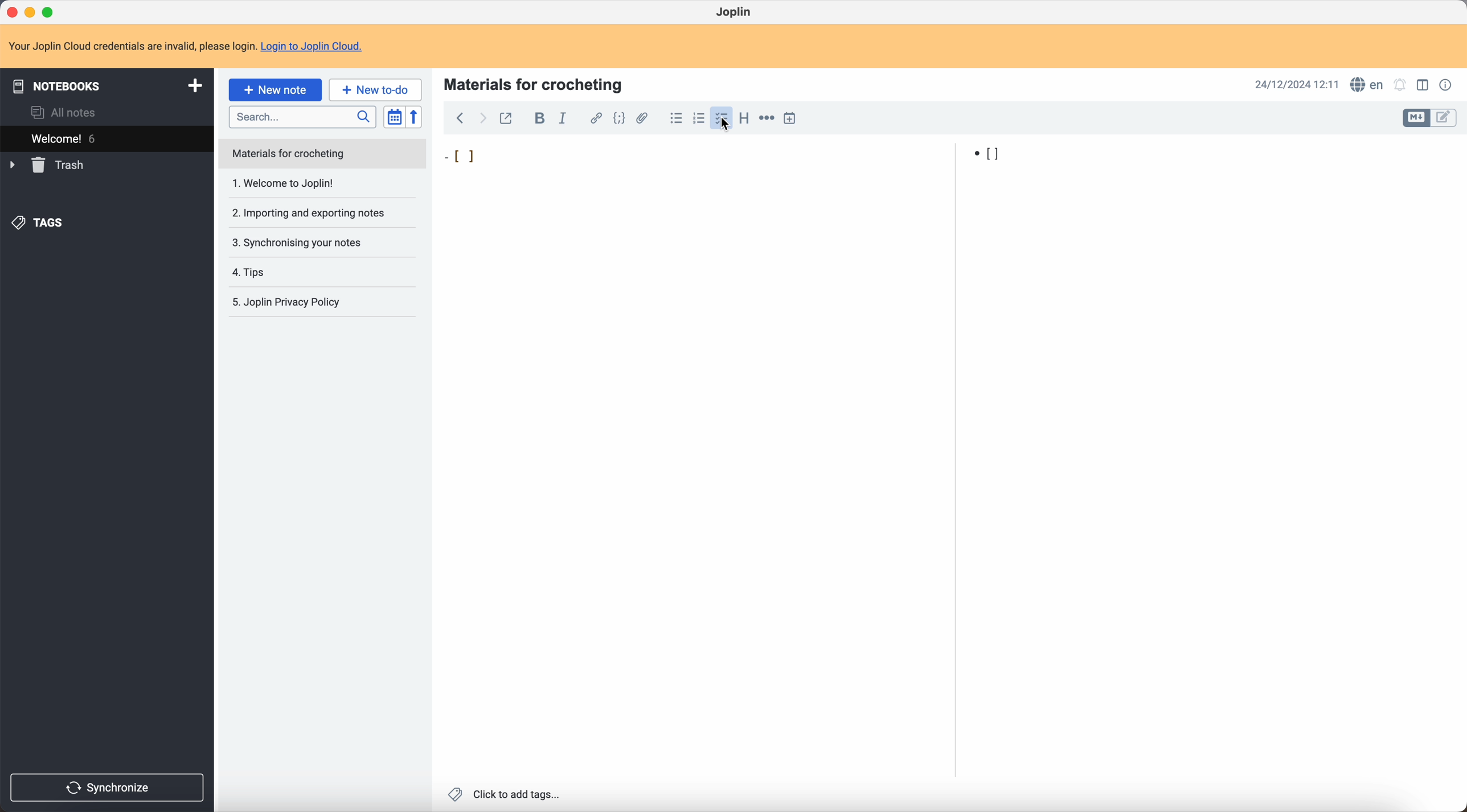 The width and height of the screenshot is (1467, 812). I want to click on all notes, so click(67, 112).